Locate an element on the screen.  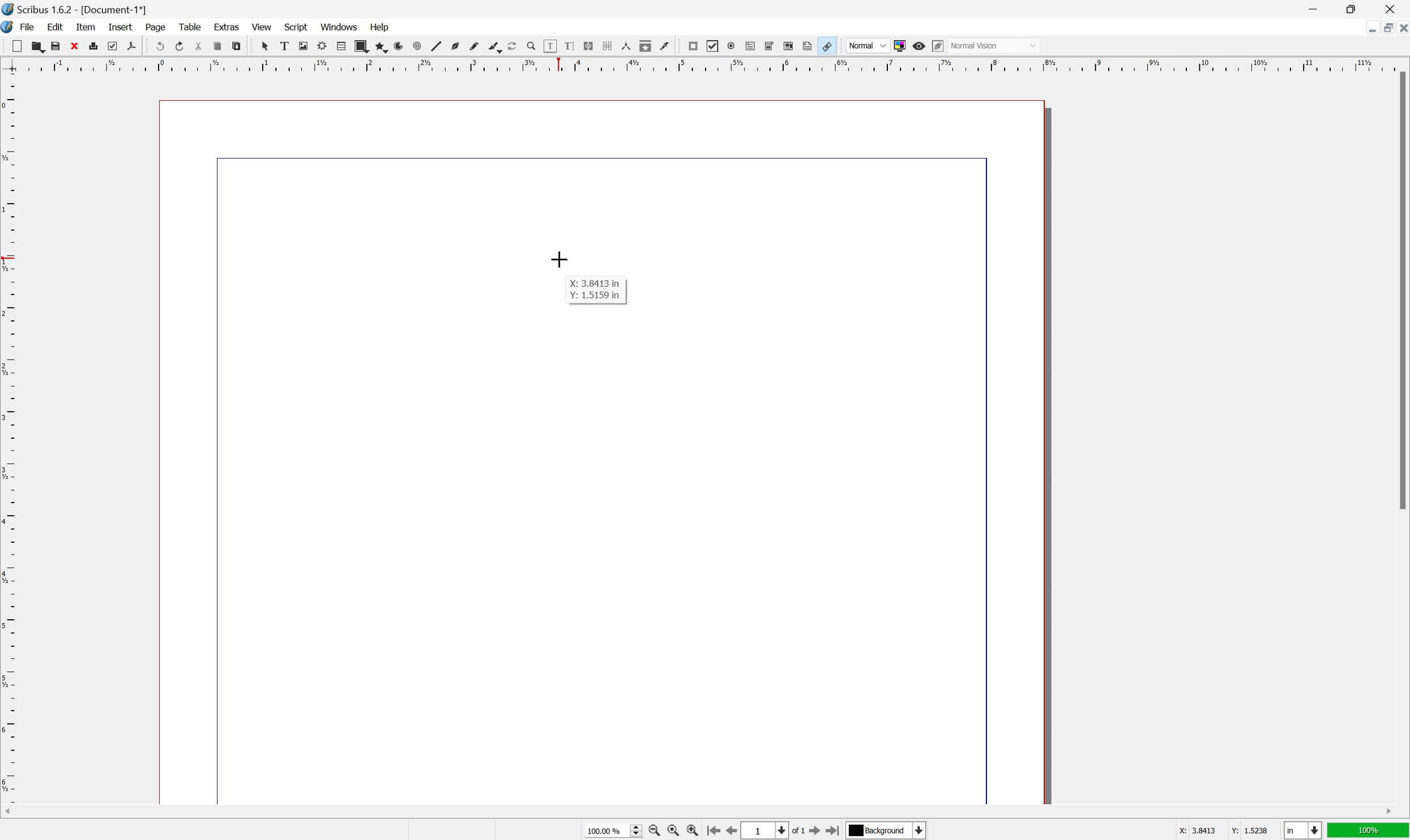
preflight verifier is located at coordinates (113, 46).